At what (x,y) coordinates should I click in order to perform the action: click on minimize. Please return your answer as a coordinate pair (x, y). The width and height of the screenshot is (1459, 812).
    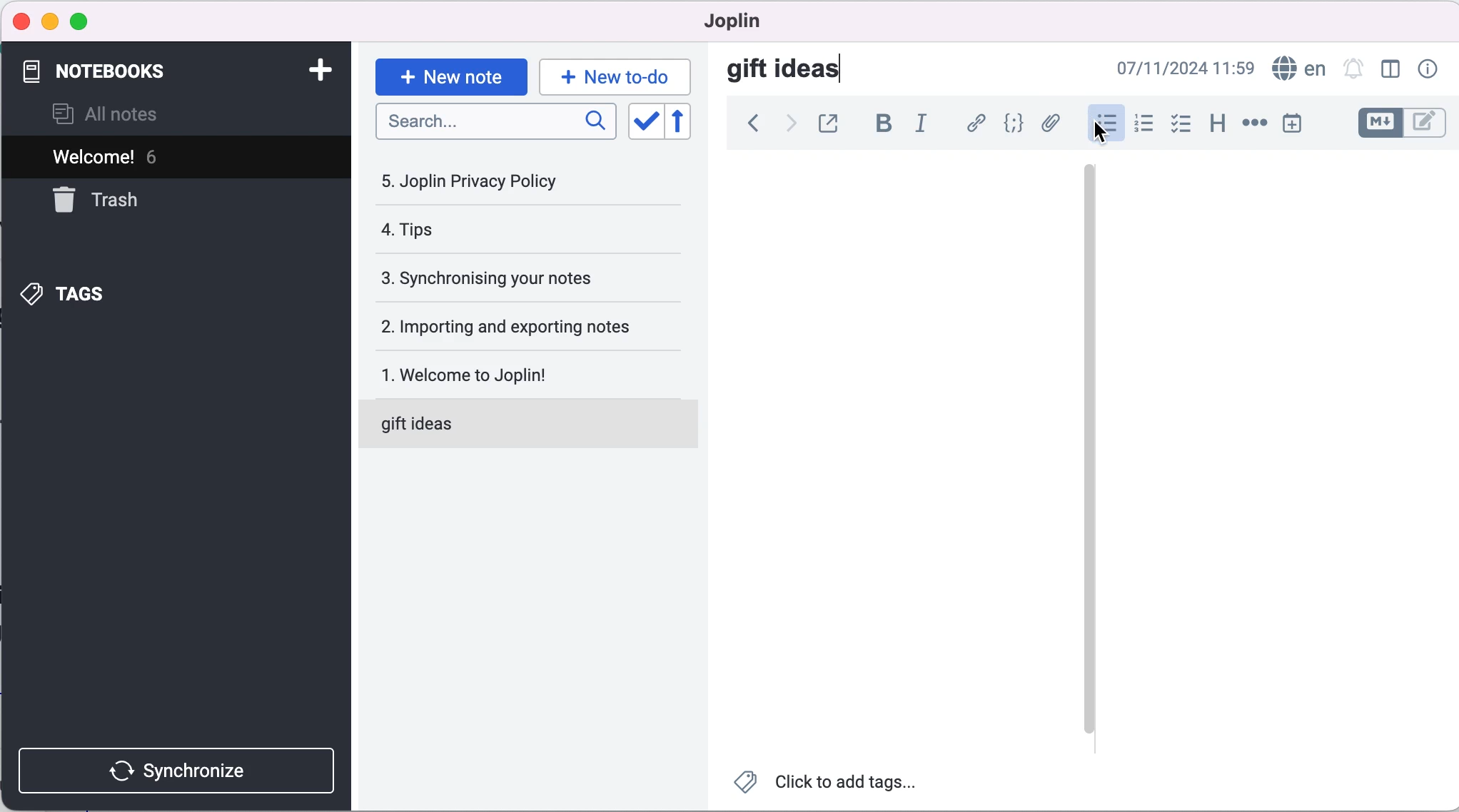
    Looking at the image, I should click on (50, 19).